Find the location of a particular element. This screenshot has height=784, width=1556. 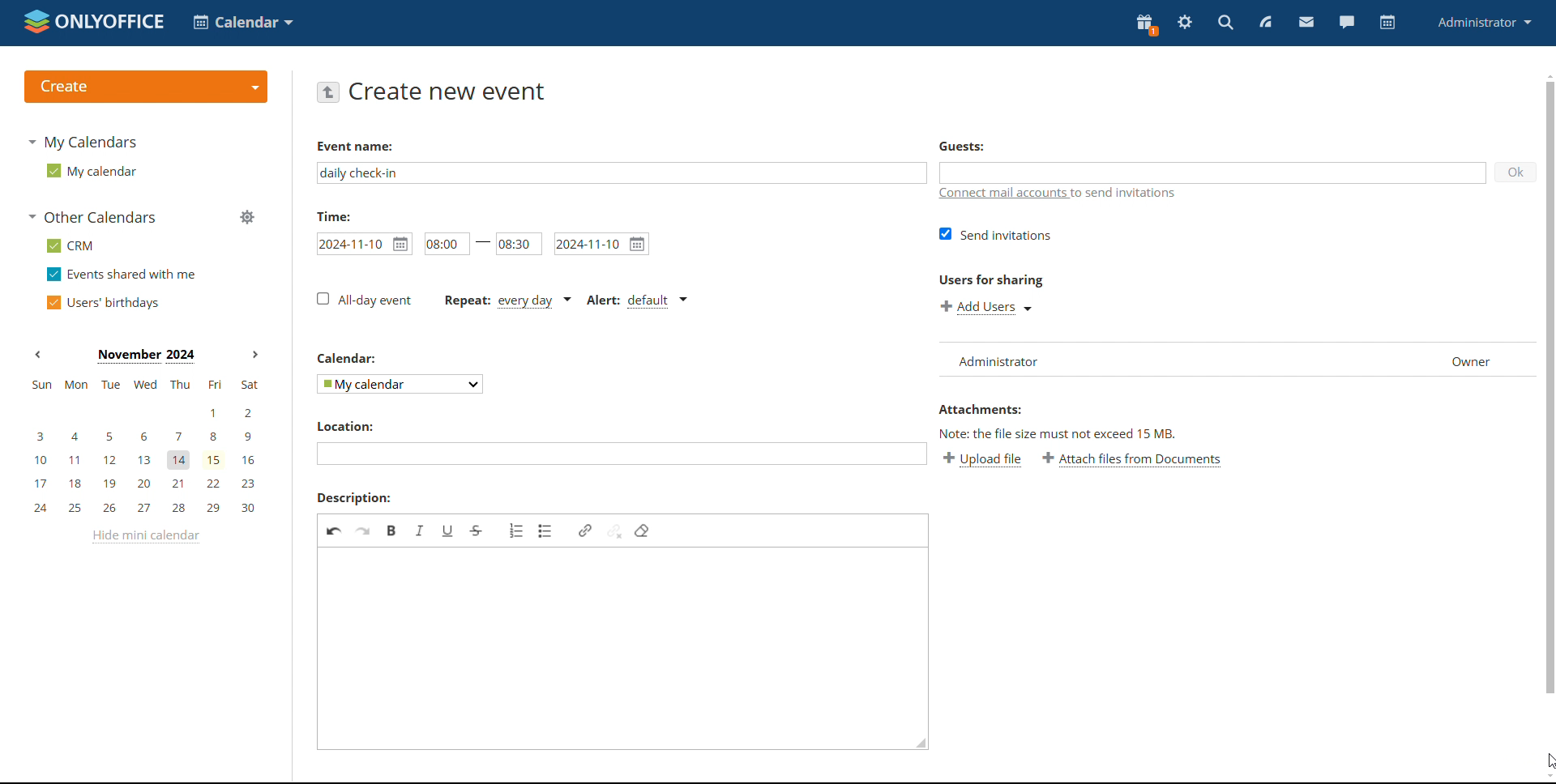

time: is located at coordinates (340, 216).